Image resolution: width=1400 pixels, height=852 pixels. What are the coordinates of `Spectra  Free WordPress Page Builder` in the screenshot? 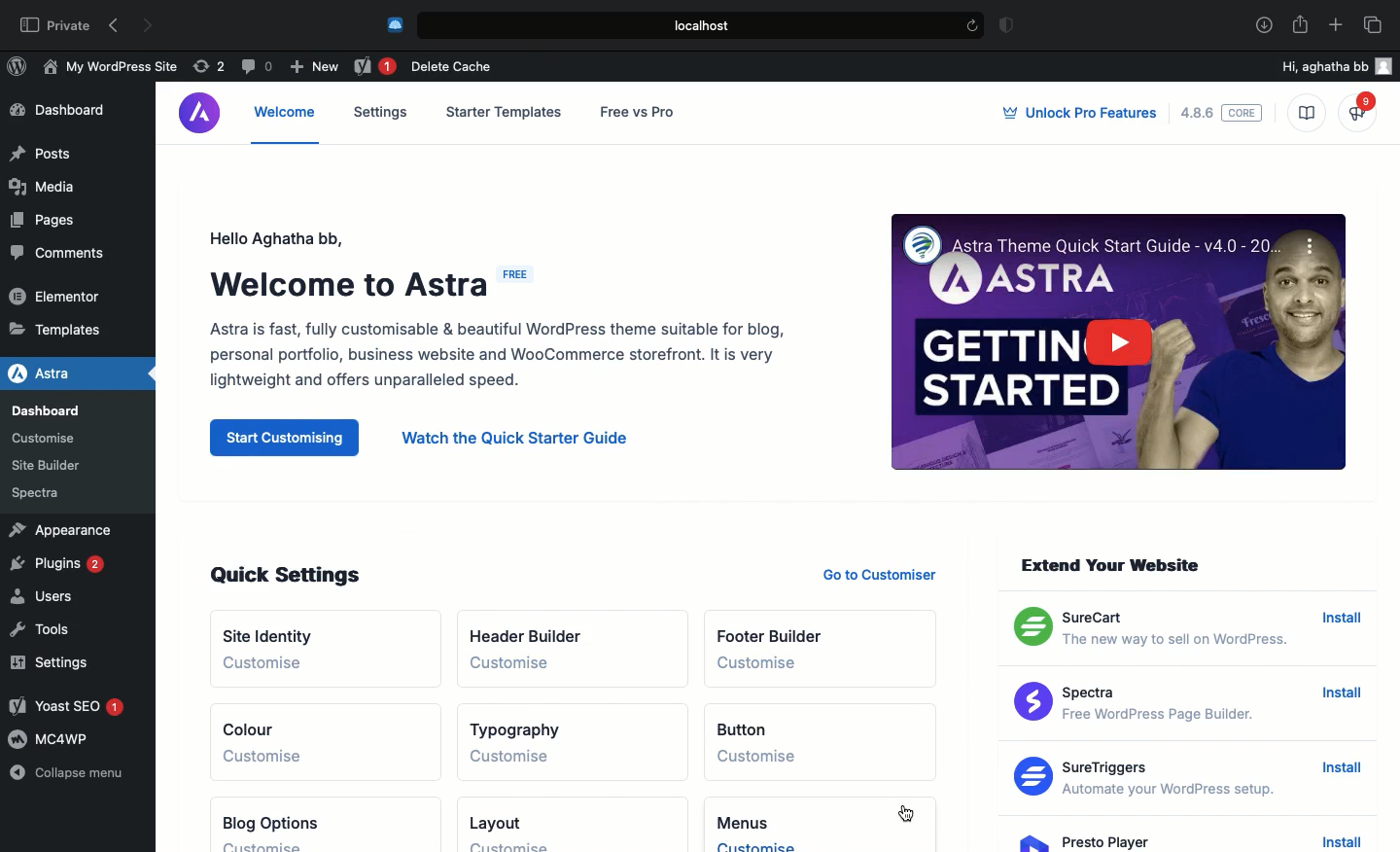 It's located at (1140, 706).